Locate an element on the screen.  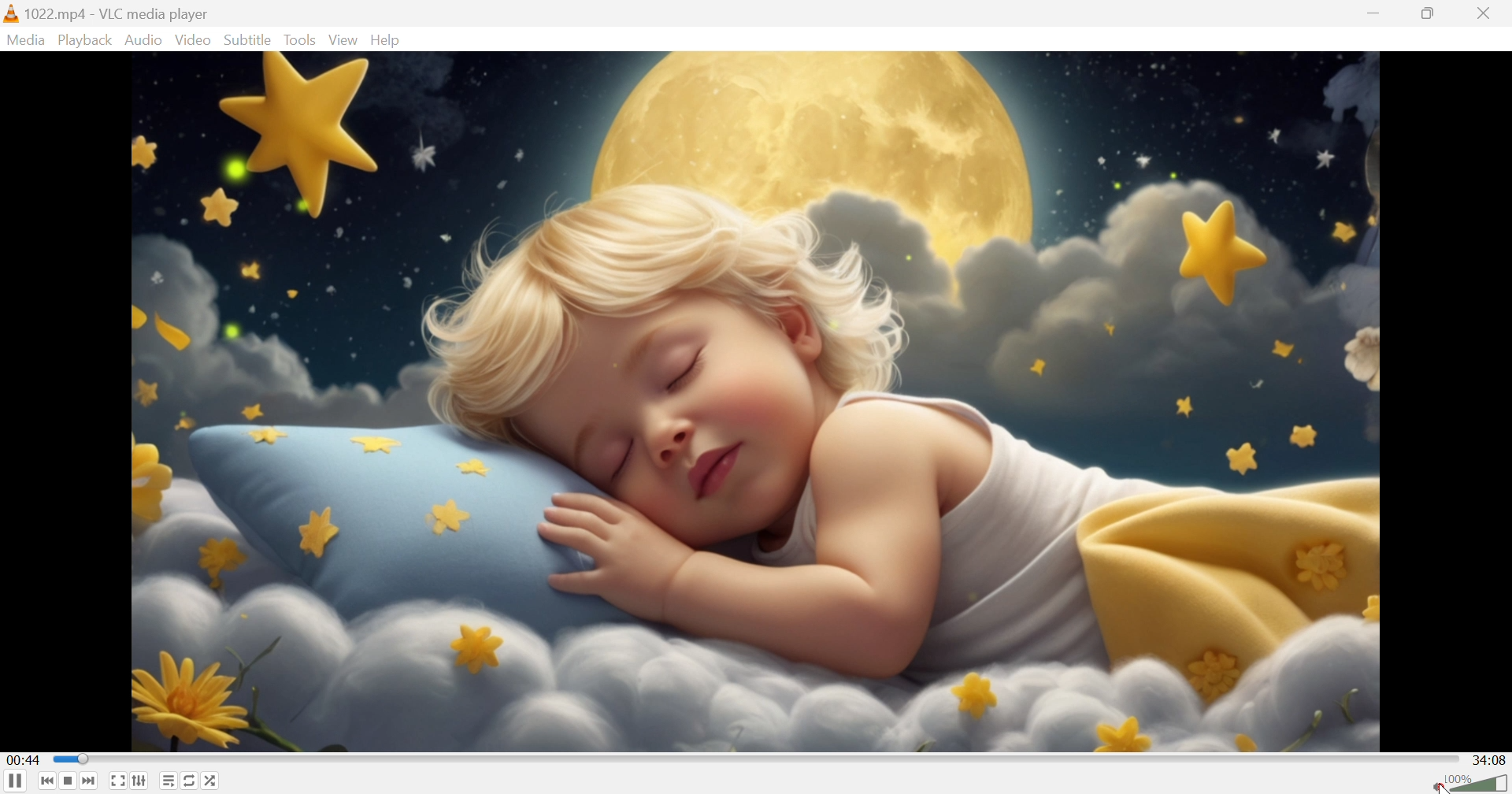
Show extended settings is located at coordinates (143, 783).